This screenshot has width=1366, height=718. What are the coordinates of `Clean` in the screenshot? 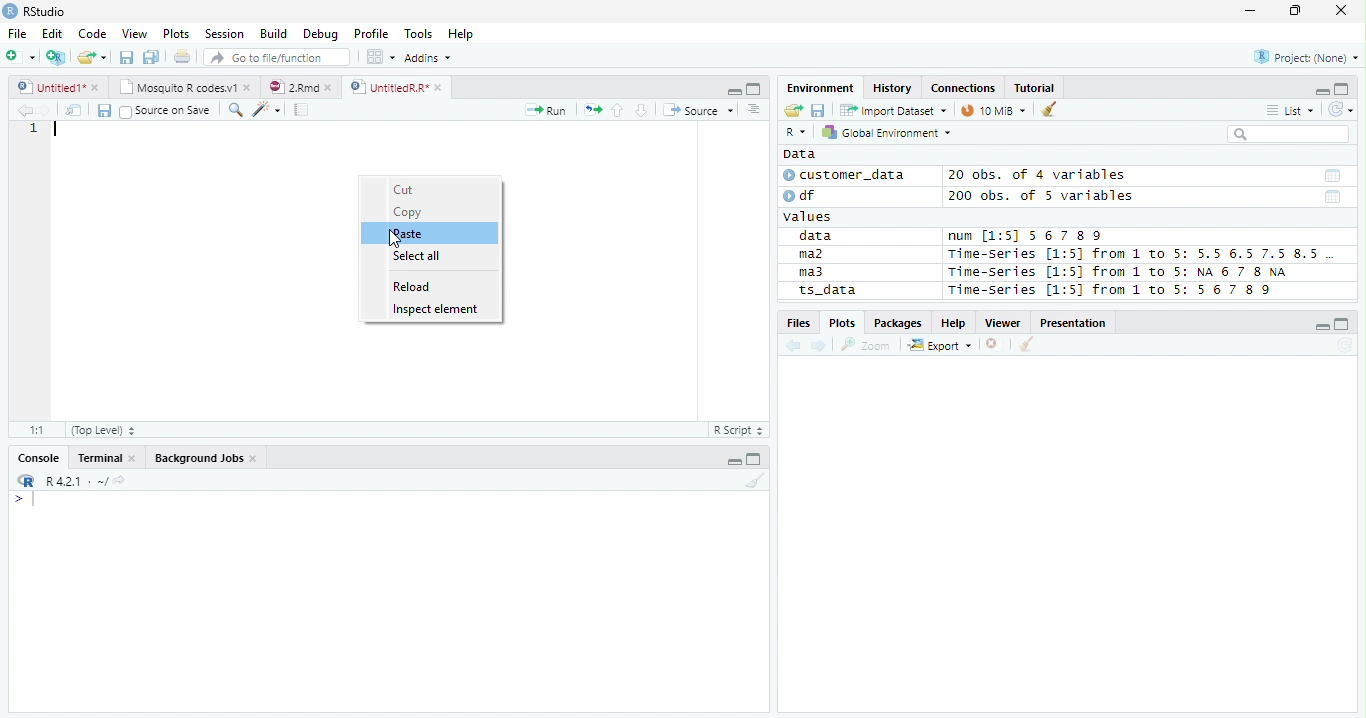 It's located at (755, 482).